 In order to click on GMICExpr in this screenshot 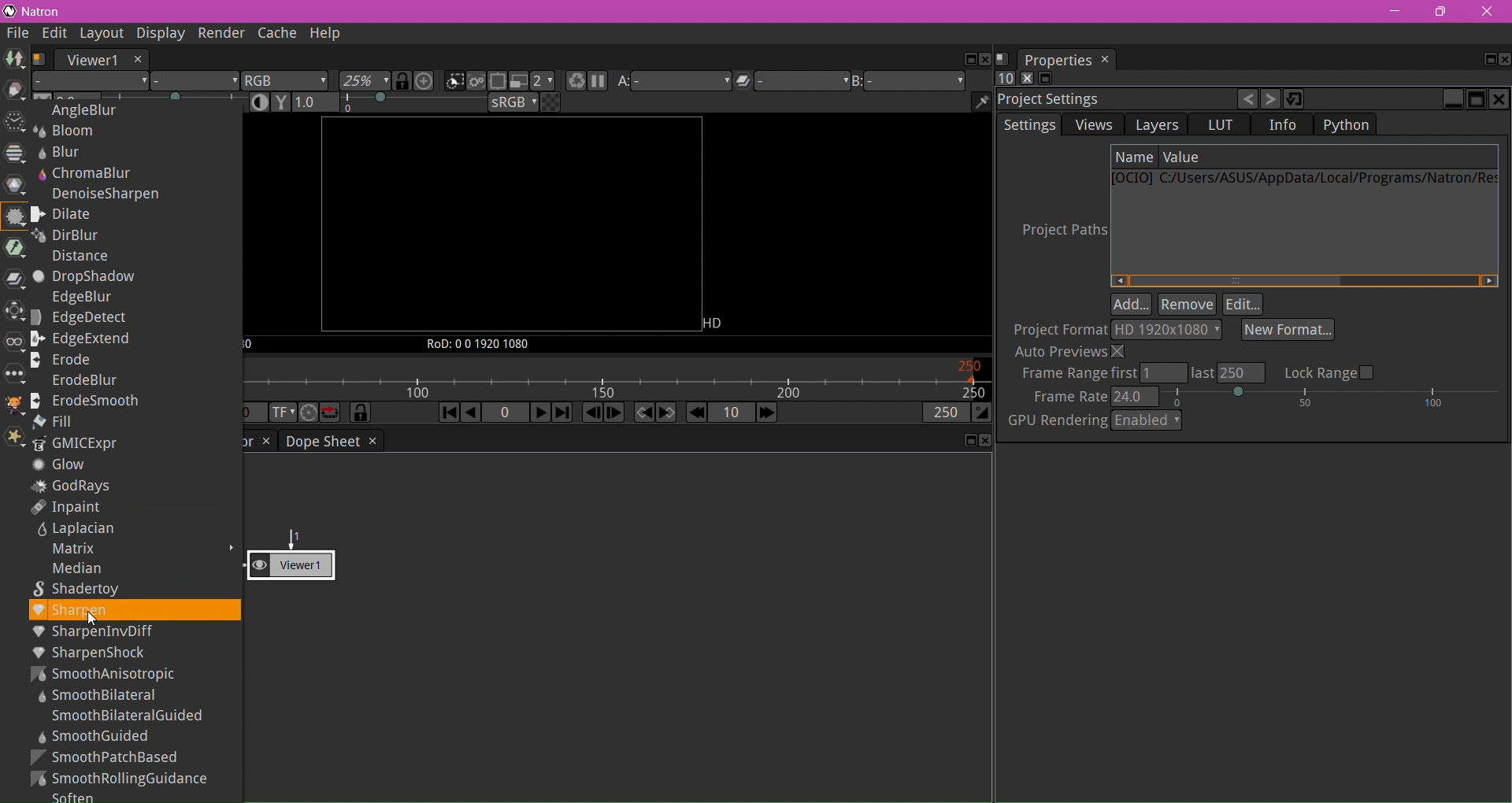, I will do `click(78, 445)`.